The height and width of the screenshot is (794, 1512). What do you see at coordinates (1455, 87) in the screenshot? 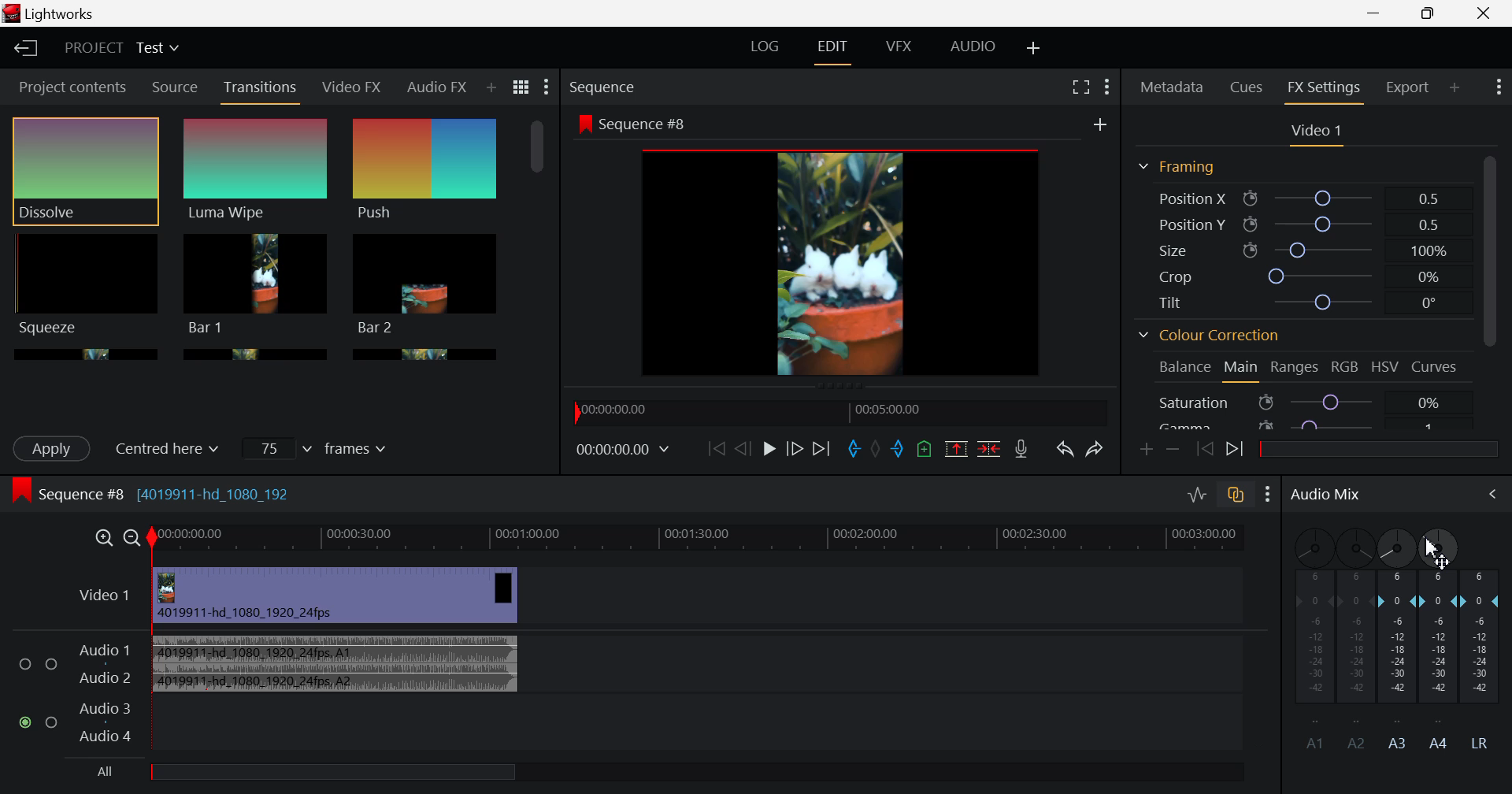
I see `Add Panel` at bounding box center [1455, 87].